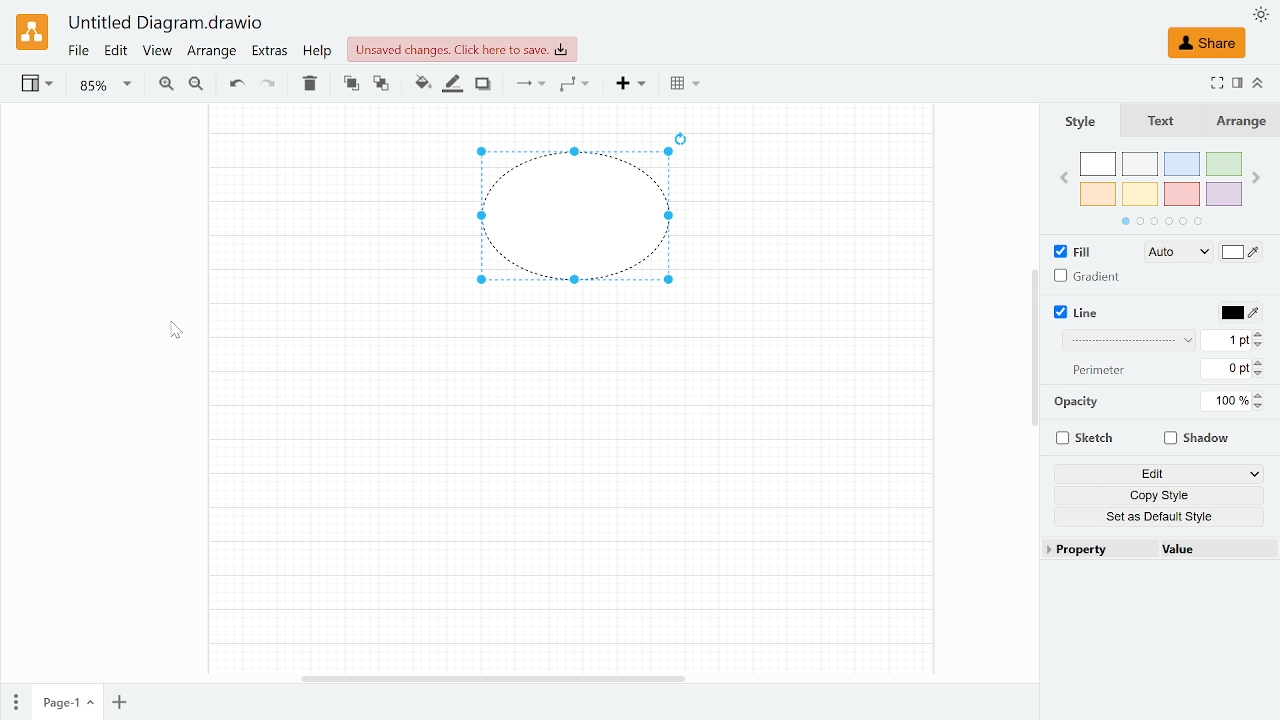  What do you see at coordinates (1227, 369) in the screenshot?
I see `Current permiter` at bounding box center [1227, 369].